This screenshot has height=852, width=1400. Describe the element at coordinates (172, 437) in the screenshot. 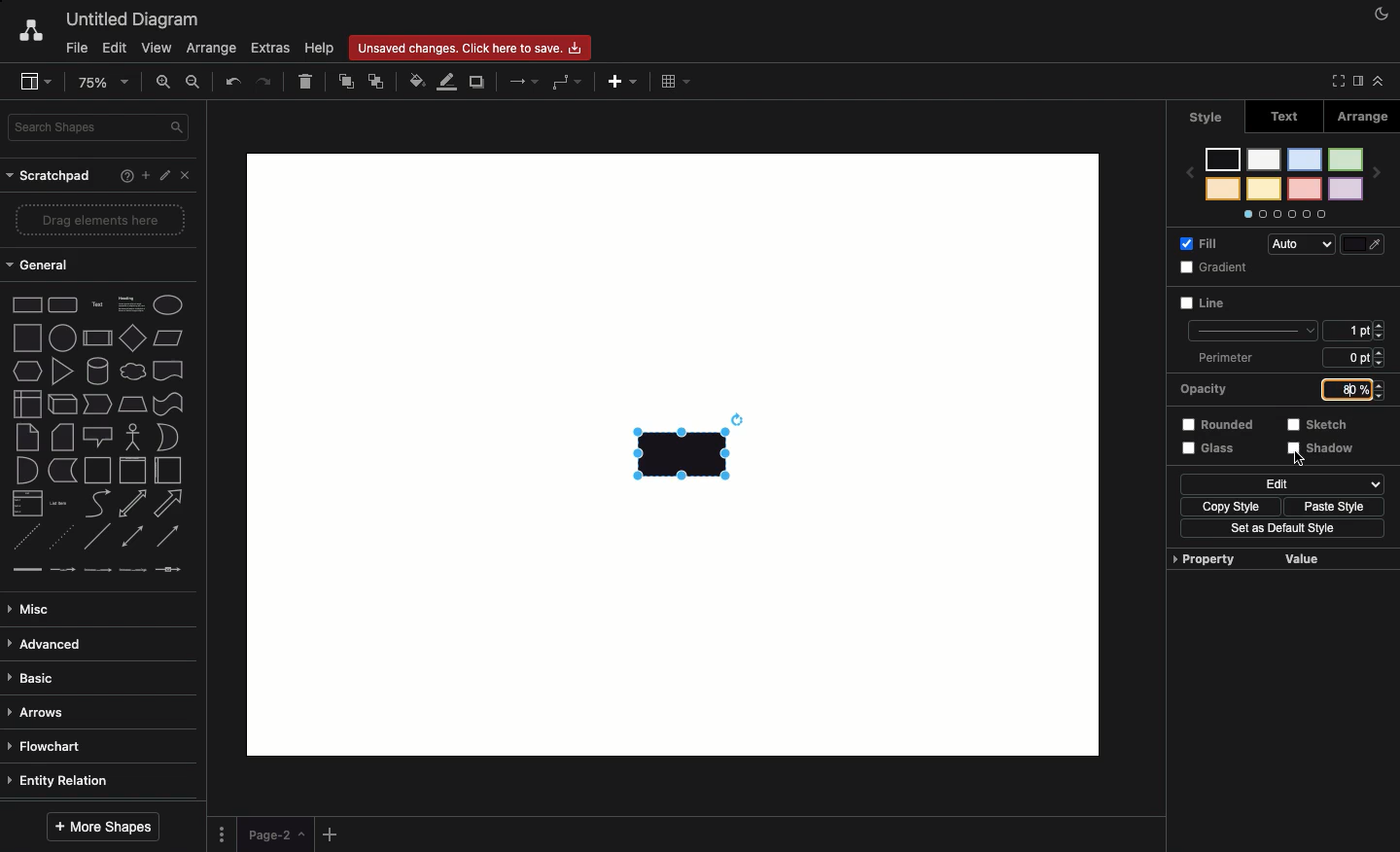

I see `or` at that location.